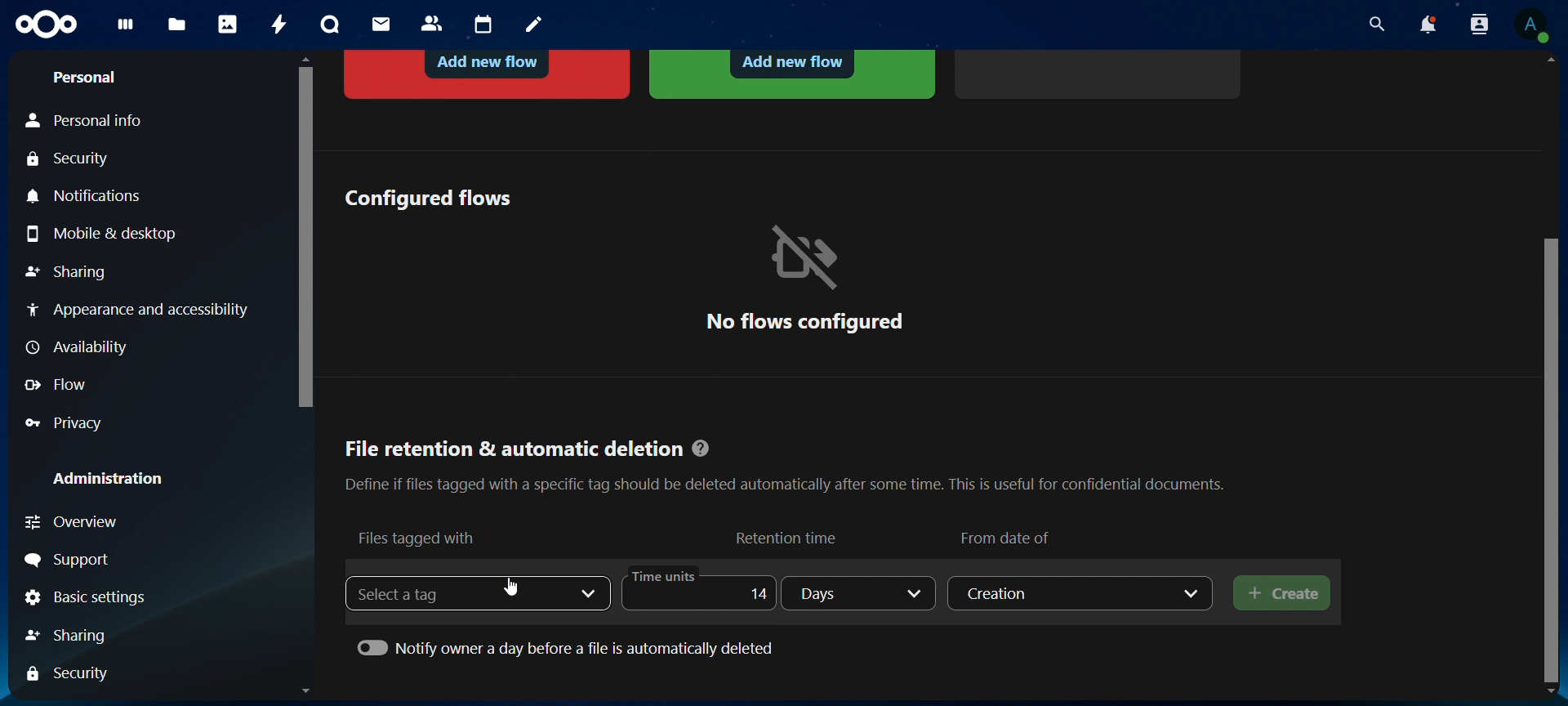  Describe the element at coordinates (413, 593) in the screenshot. I see `select a tag` at that location.